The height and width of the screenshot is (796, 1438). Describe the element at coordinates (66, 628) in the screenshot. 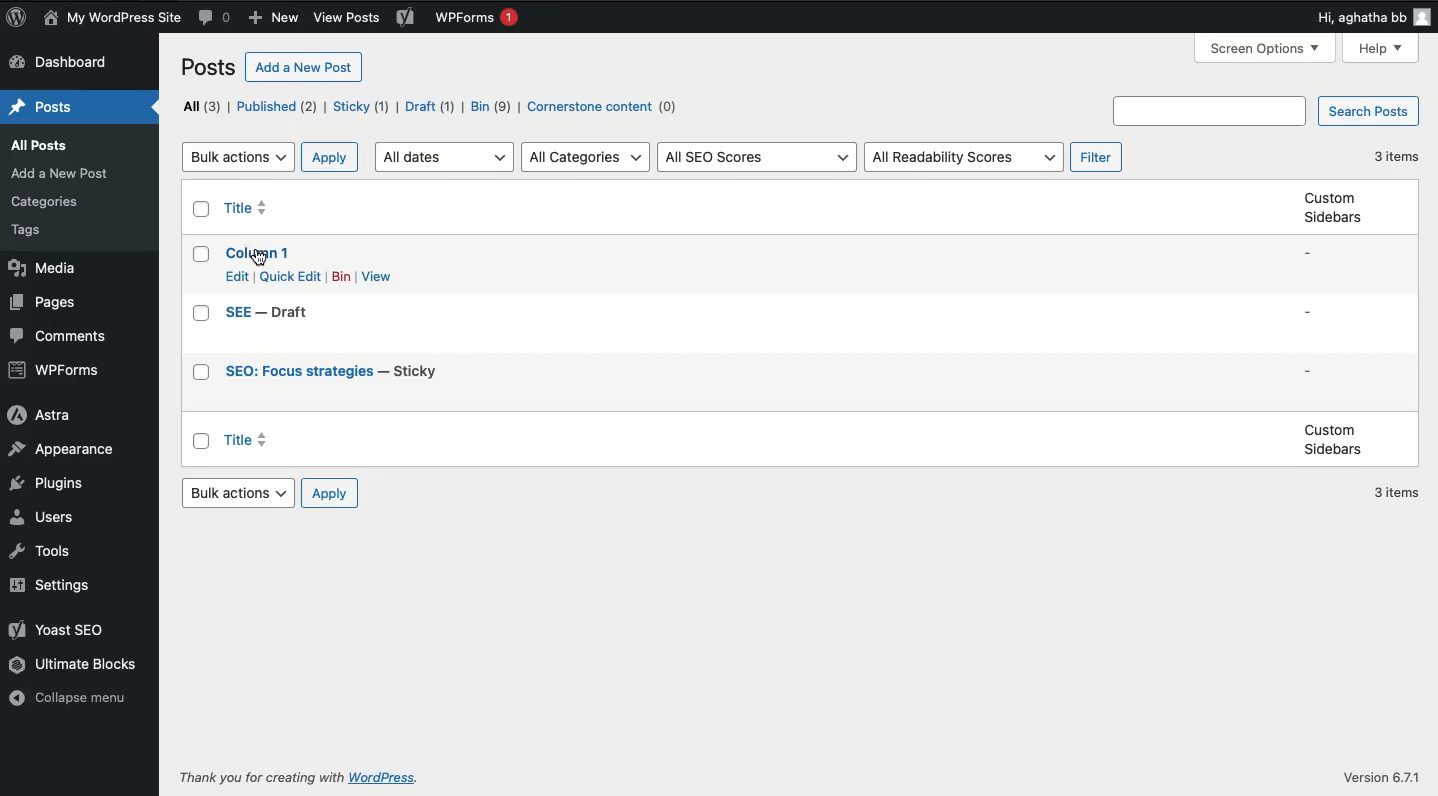

I see `Yoast` at that location.